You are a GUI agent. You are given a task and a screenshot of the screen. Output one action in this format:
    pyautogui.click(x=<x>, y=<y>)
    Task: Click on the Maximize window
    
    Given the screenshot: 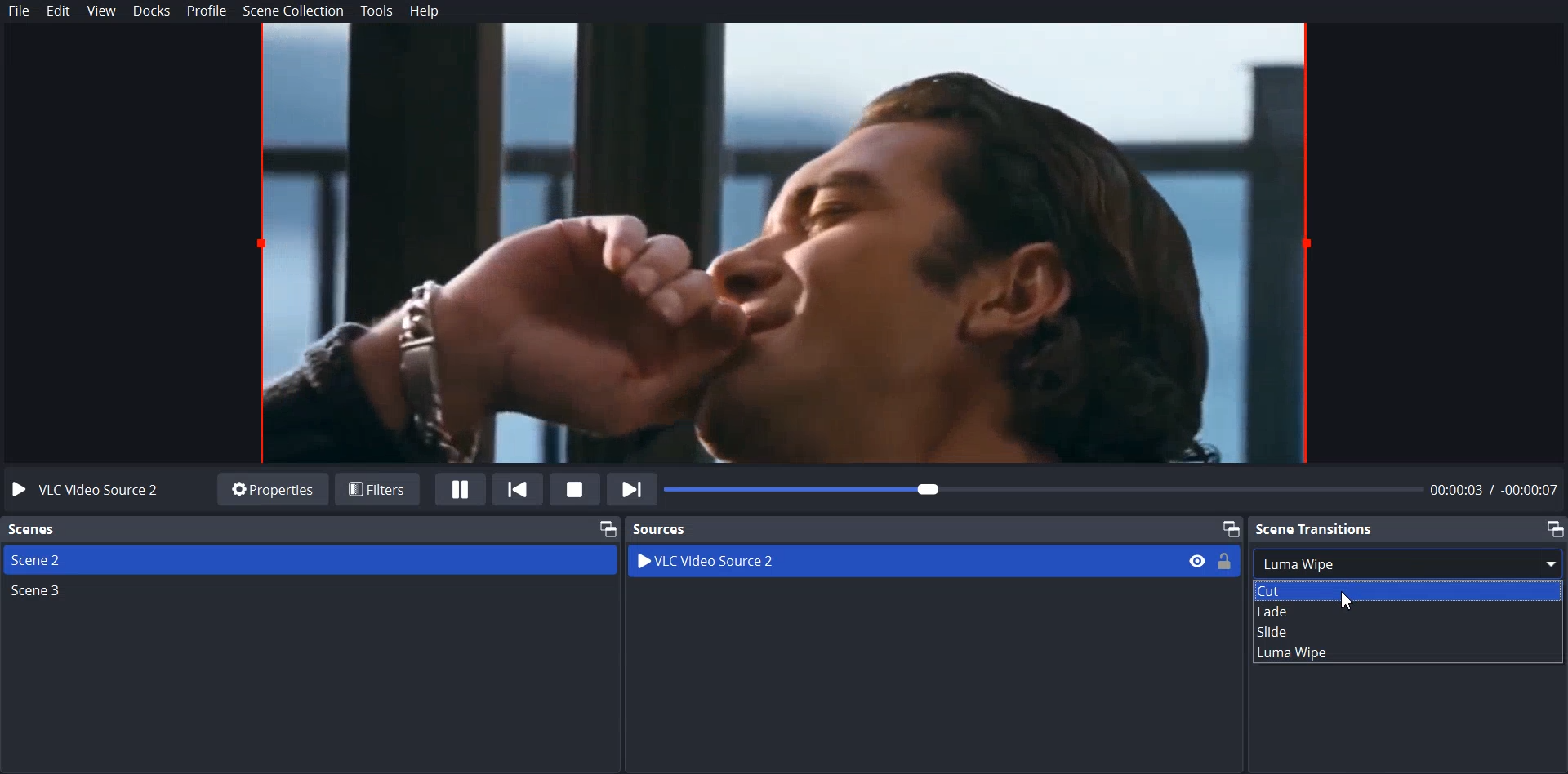 What is the action you would take?
    pyautogui.click(x=1230, y=527)
    